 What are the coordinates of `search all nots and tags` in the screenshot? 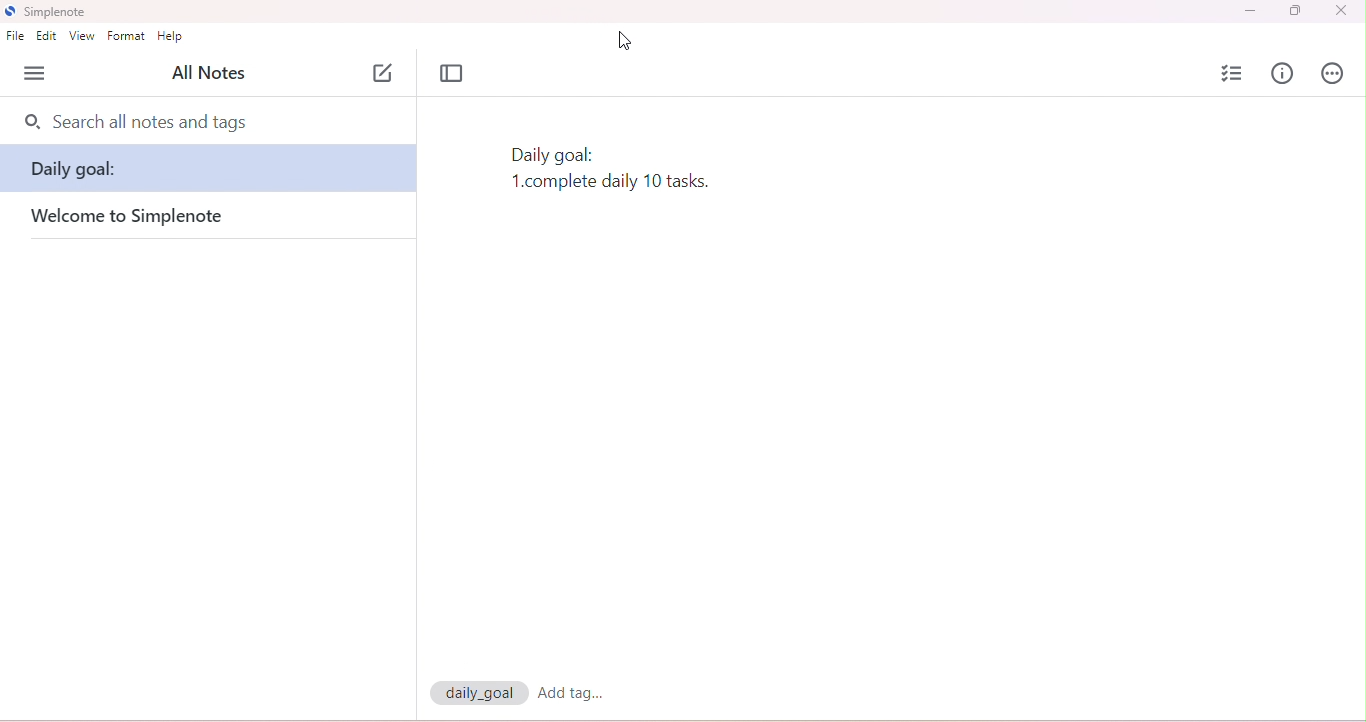 It's located at (149, 122).